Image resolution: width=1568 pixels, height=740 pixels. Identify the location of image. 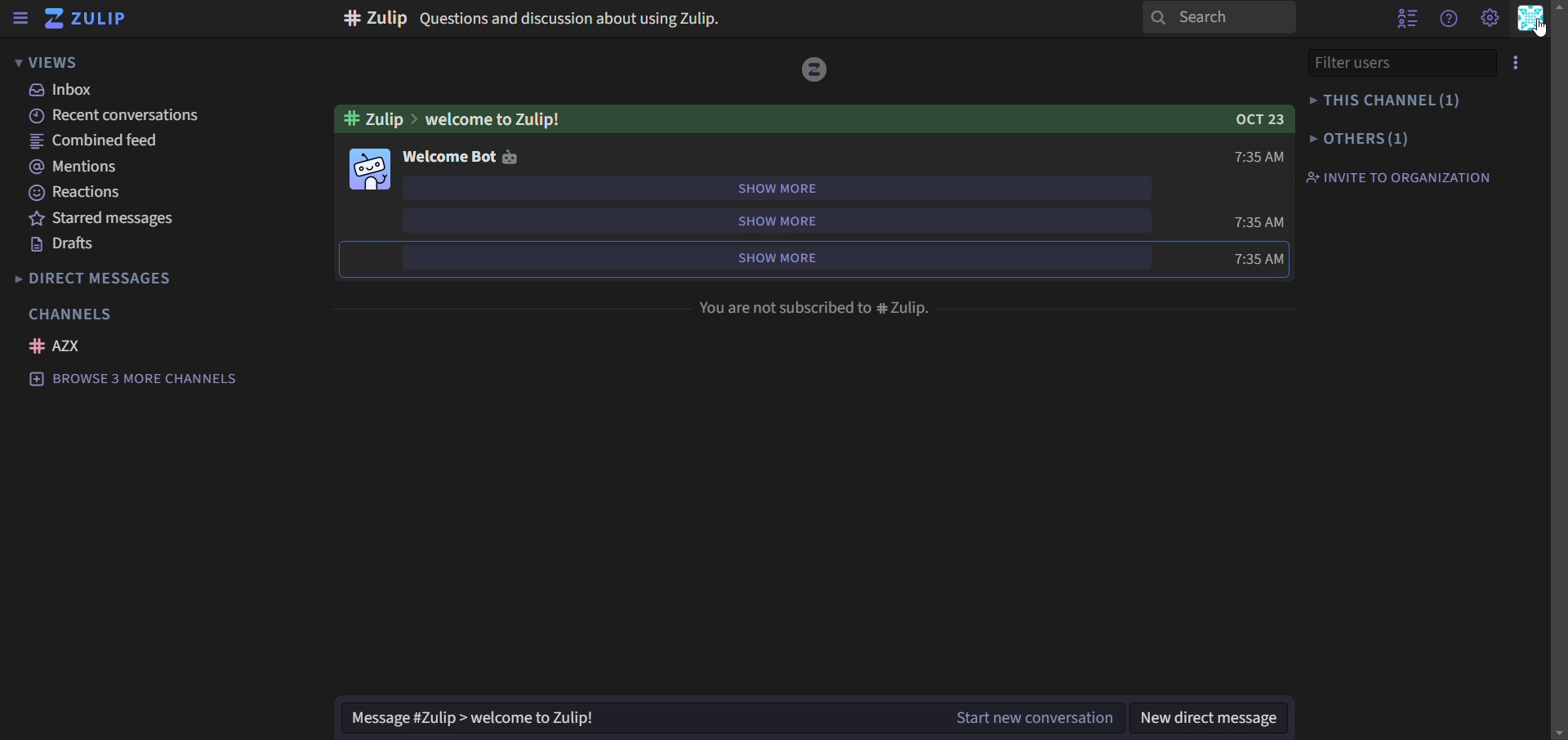
(367, 168).